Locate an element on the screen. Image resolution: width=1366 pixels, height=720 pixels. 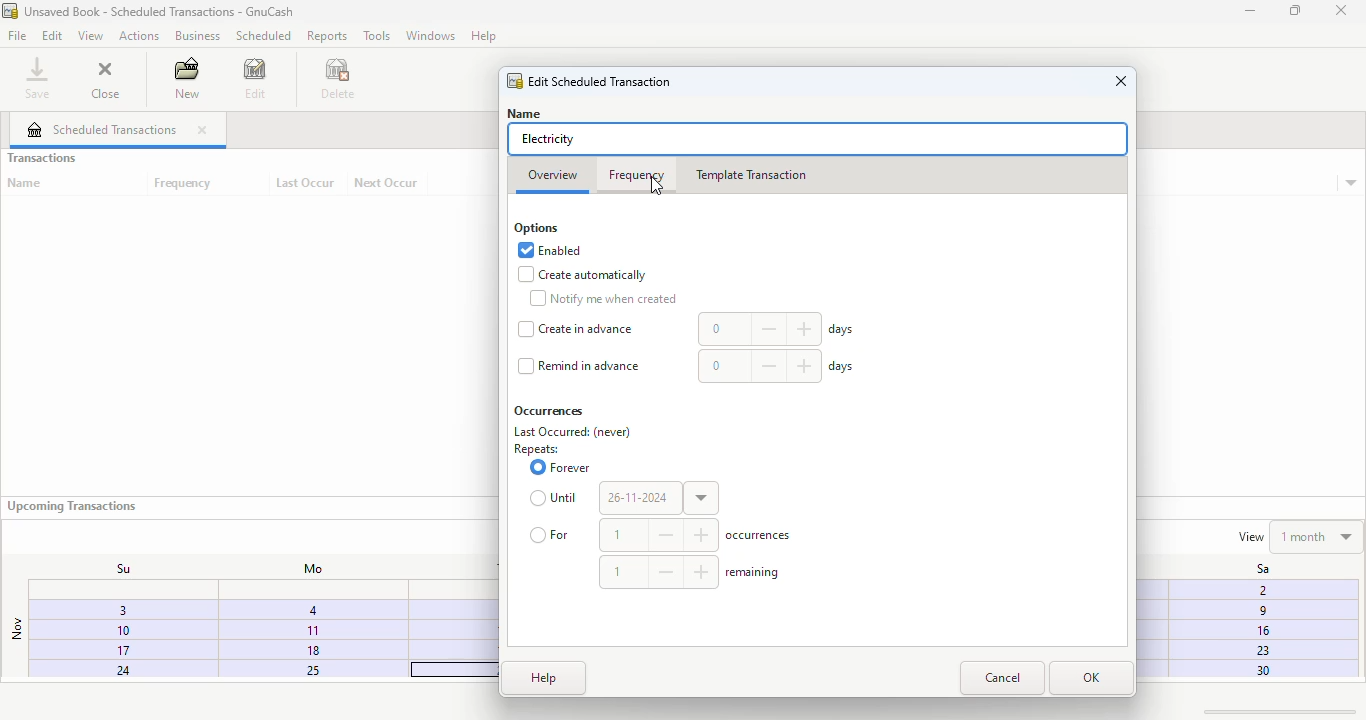
upcoming transactions is located at coordinates (71, 506).